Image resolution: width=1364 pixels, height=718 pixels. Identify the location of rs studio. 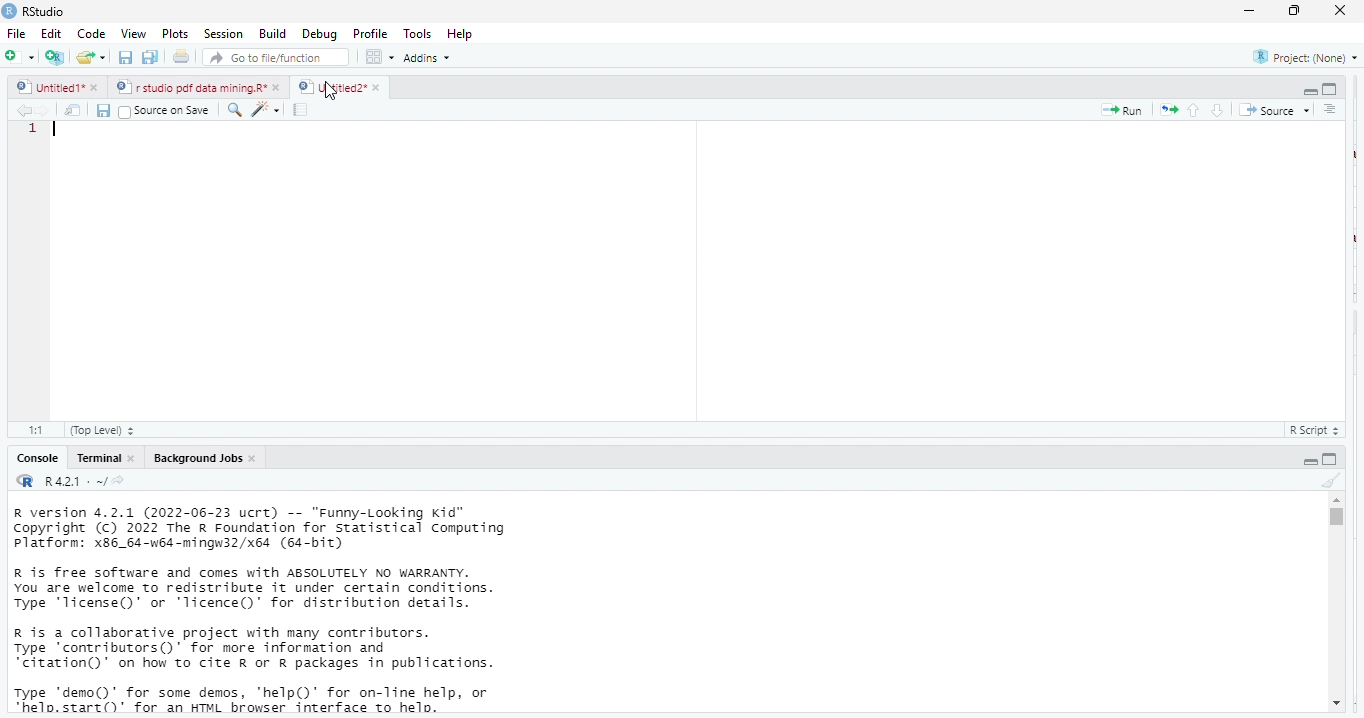
(45, 11).